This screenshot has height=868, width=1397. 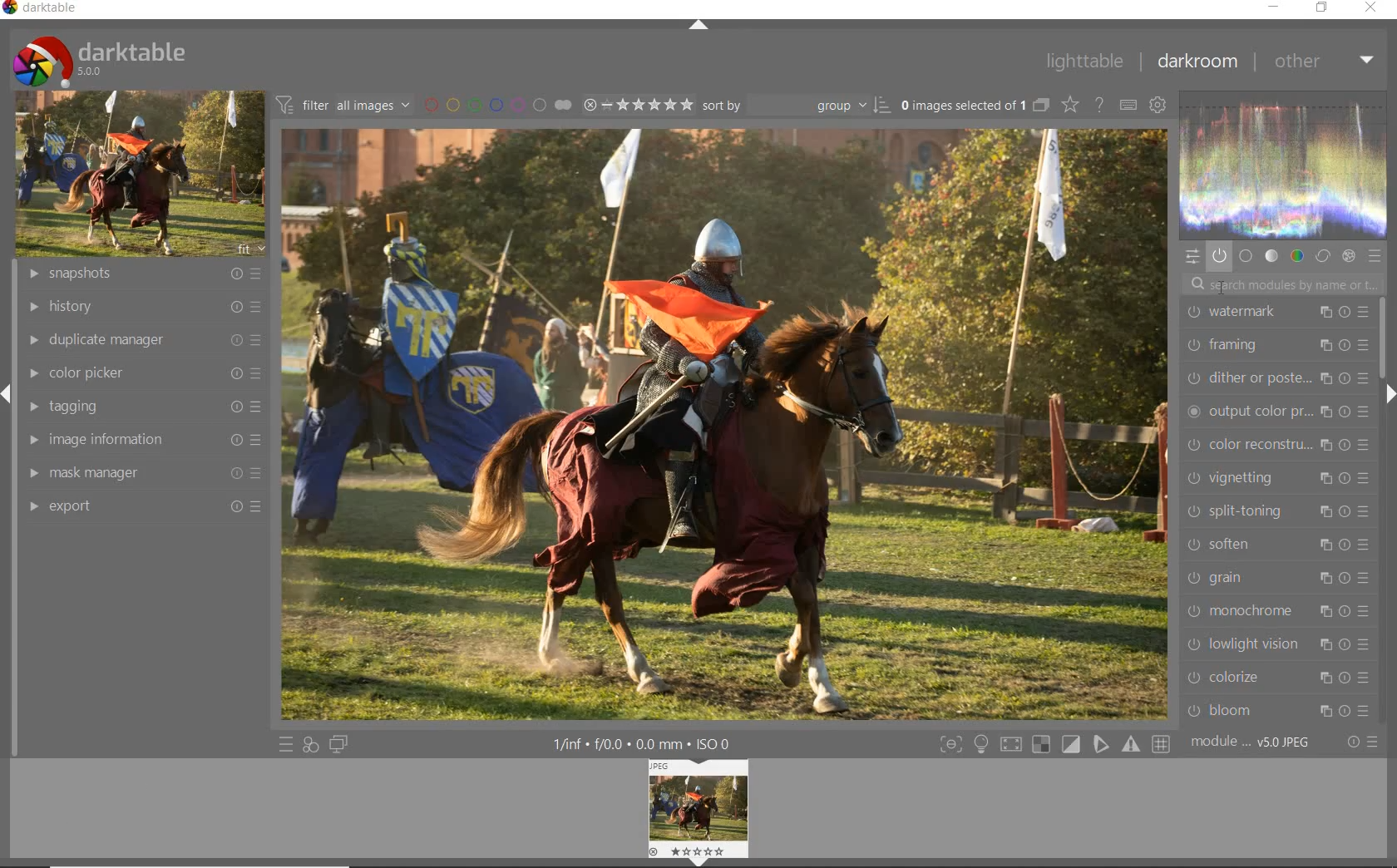 What do you see at coordinates (1190, 256) in the screenshot?
I see `quick access panel` at bounding box center [1190, 256].